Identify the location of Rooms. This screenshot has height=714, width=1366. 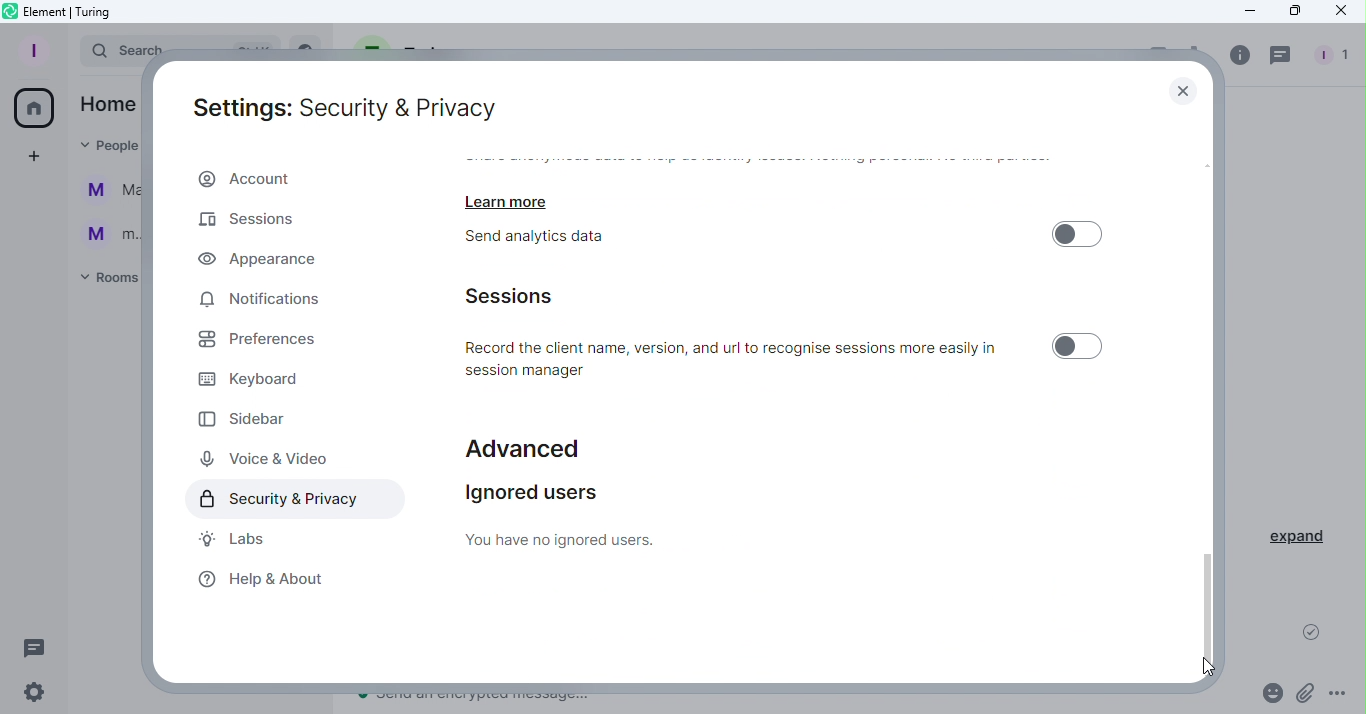
(106, 280).